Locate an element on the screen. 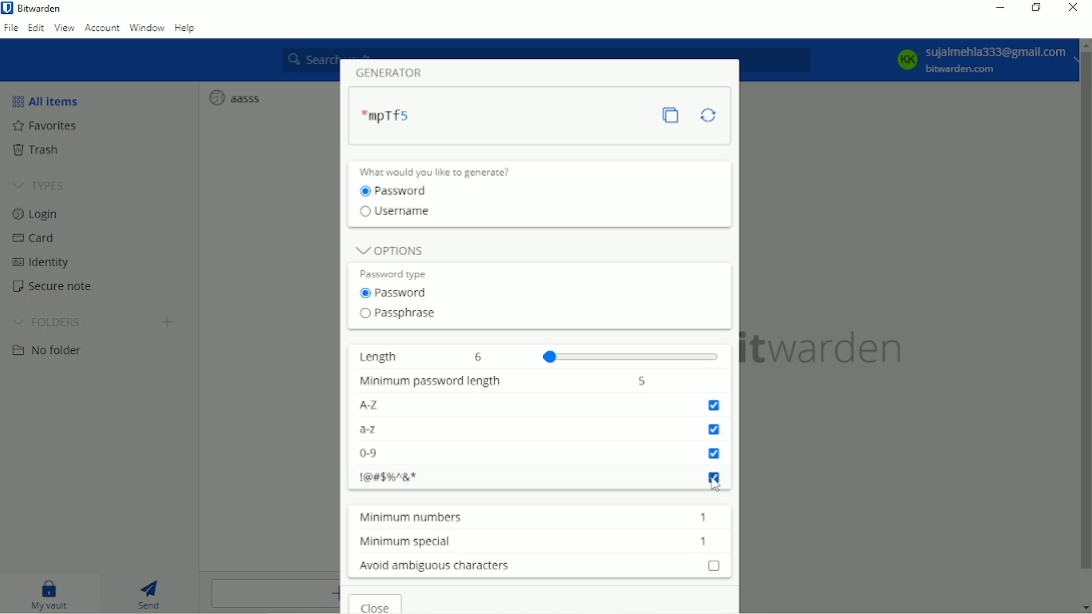  length slider is located at coordinates (596, 354).